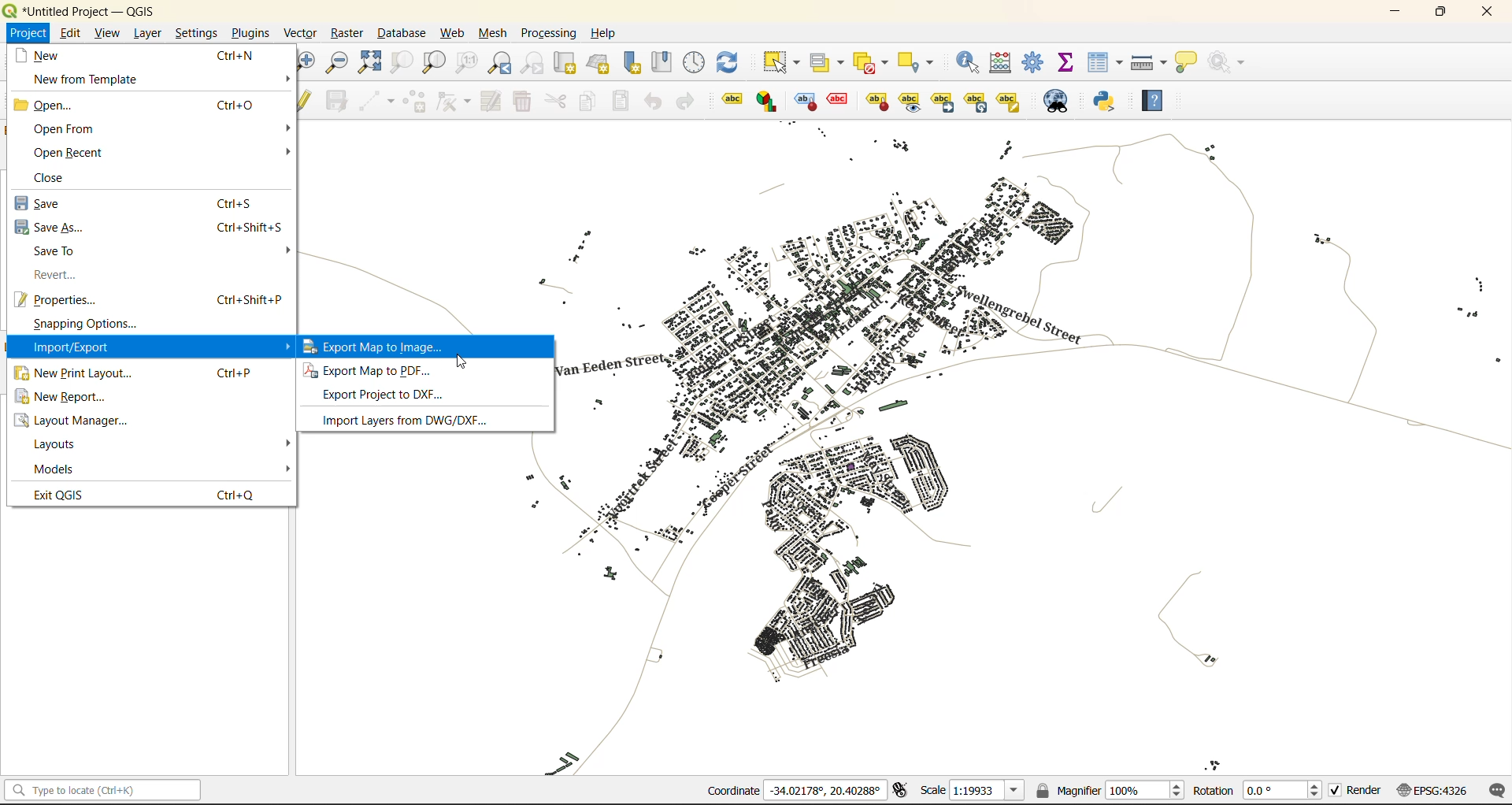  What do you see at coordinates (368, 63) in the screenshot?
I see `zoom full` at bounding box center [368, 63].